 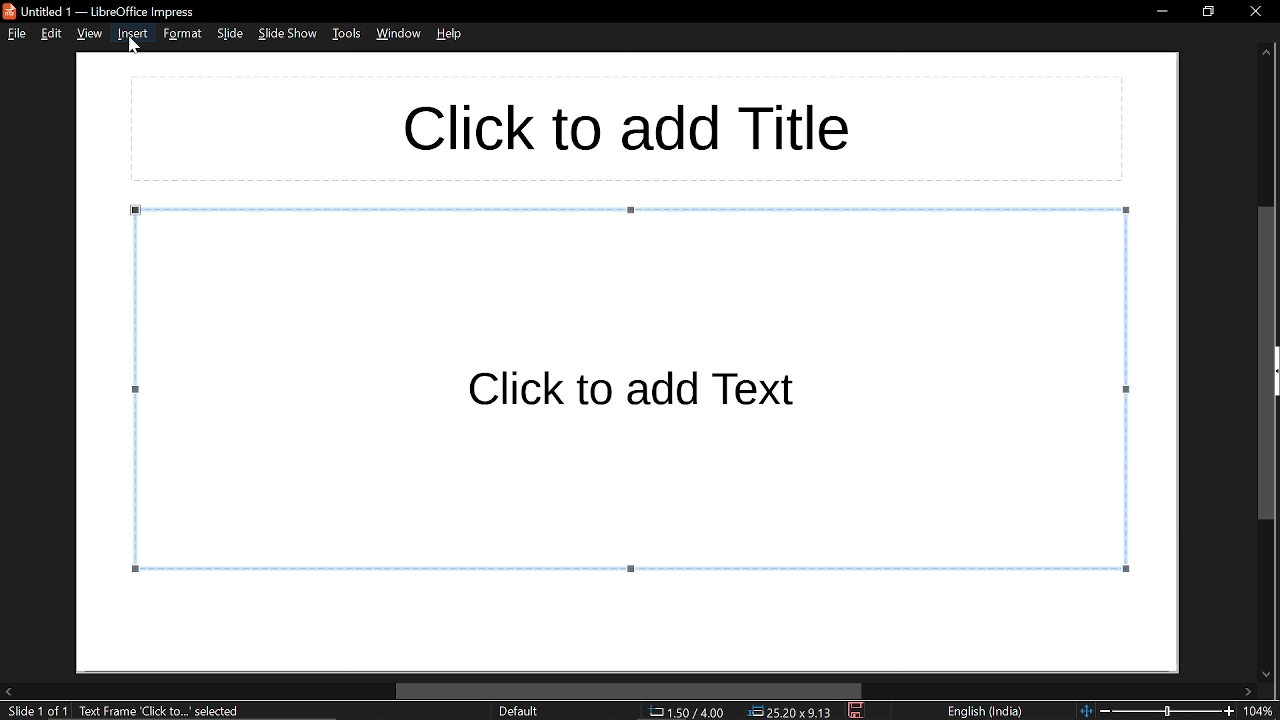 What do you see at coordinates (401, 33) in the screenshot?
I see `window` at bounding box center [401, 33].